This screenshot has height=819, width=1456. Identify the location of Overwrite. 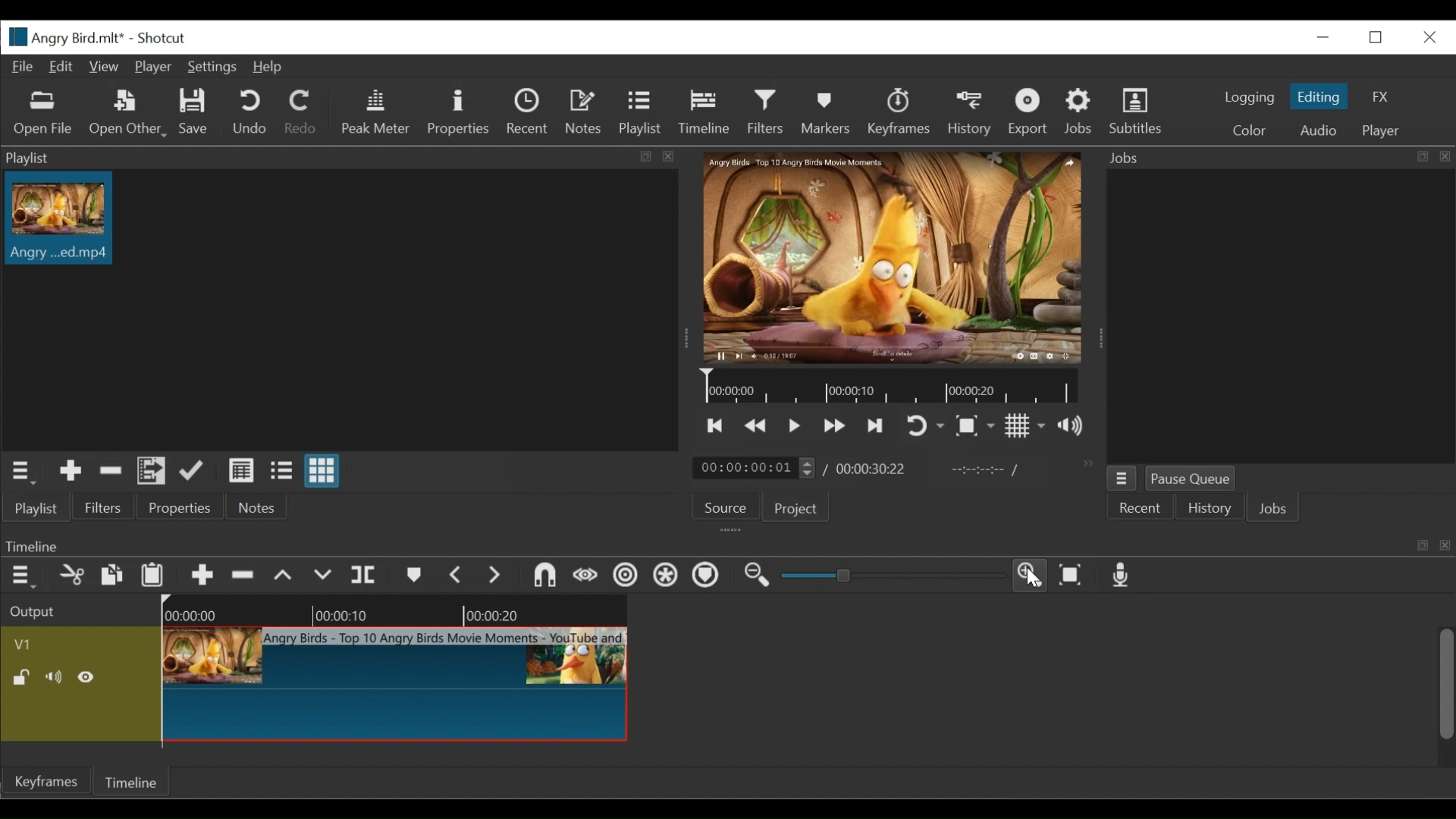
(325, 576).